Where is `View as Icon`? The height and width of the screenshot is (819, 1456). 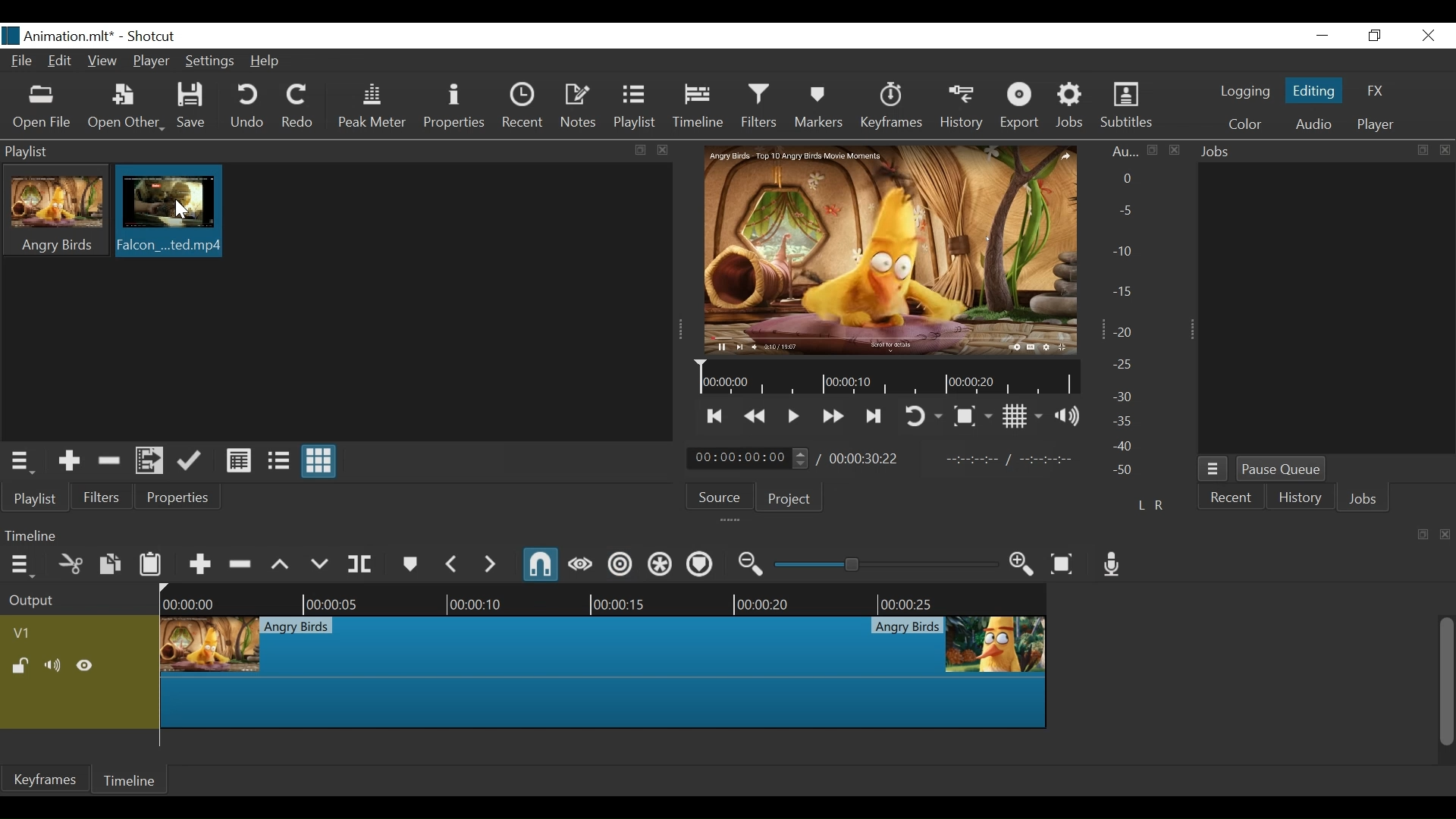 View as Icon is located at coordinates (320, 461).